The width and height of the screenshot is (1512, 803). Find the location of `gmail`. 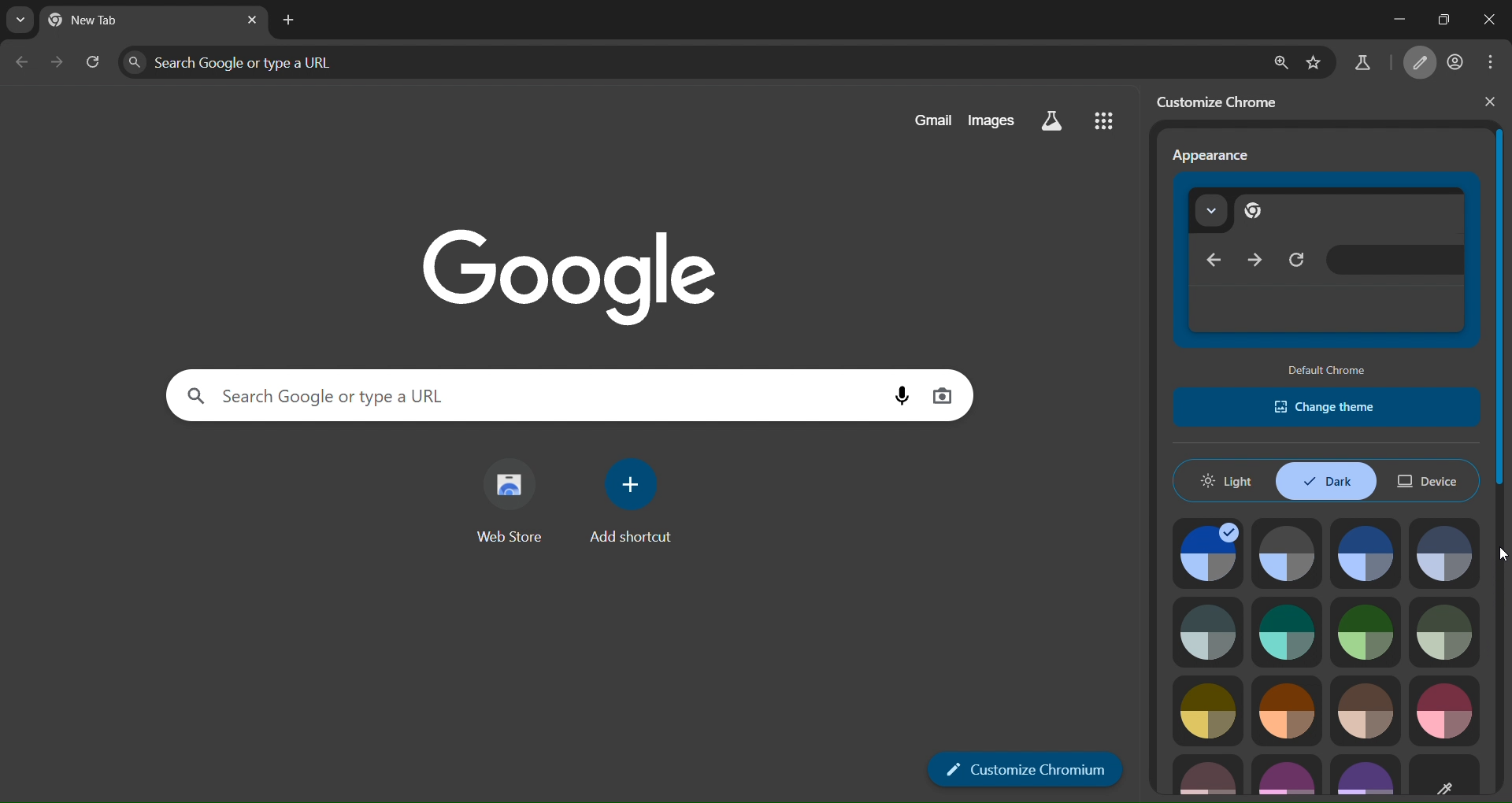

gmail is located at coordinates (932, 120).